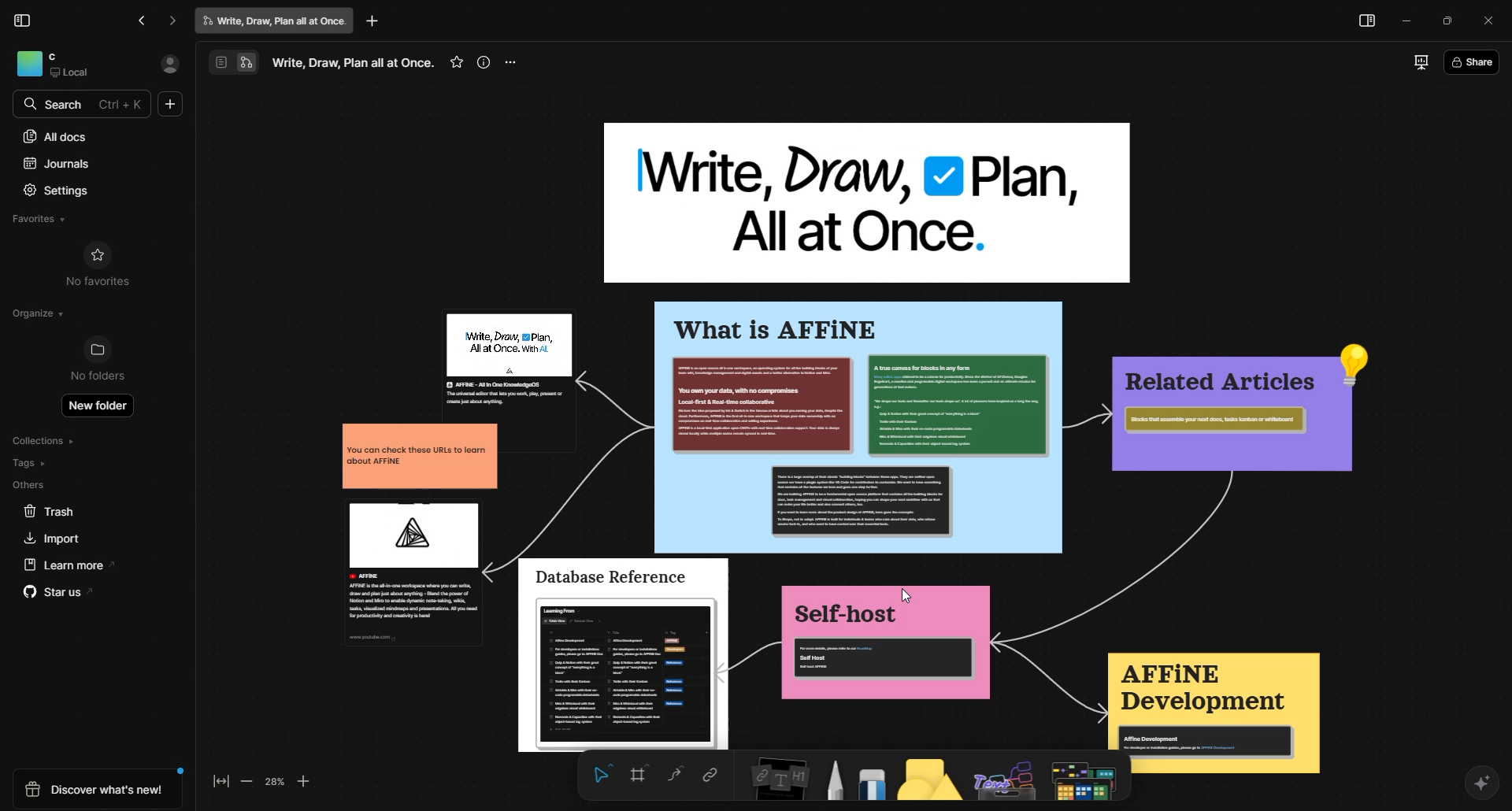  What do you see at coordinates (276, 20) in the screenshot?
I see `new tab` at bounding box center [276, 20].